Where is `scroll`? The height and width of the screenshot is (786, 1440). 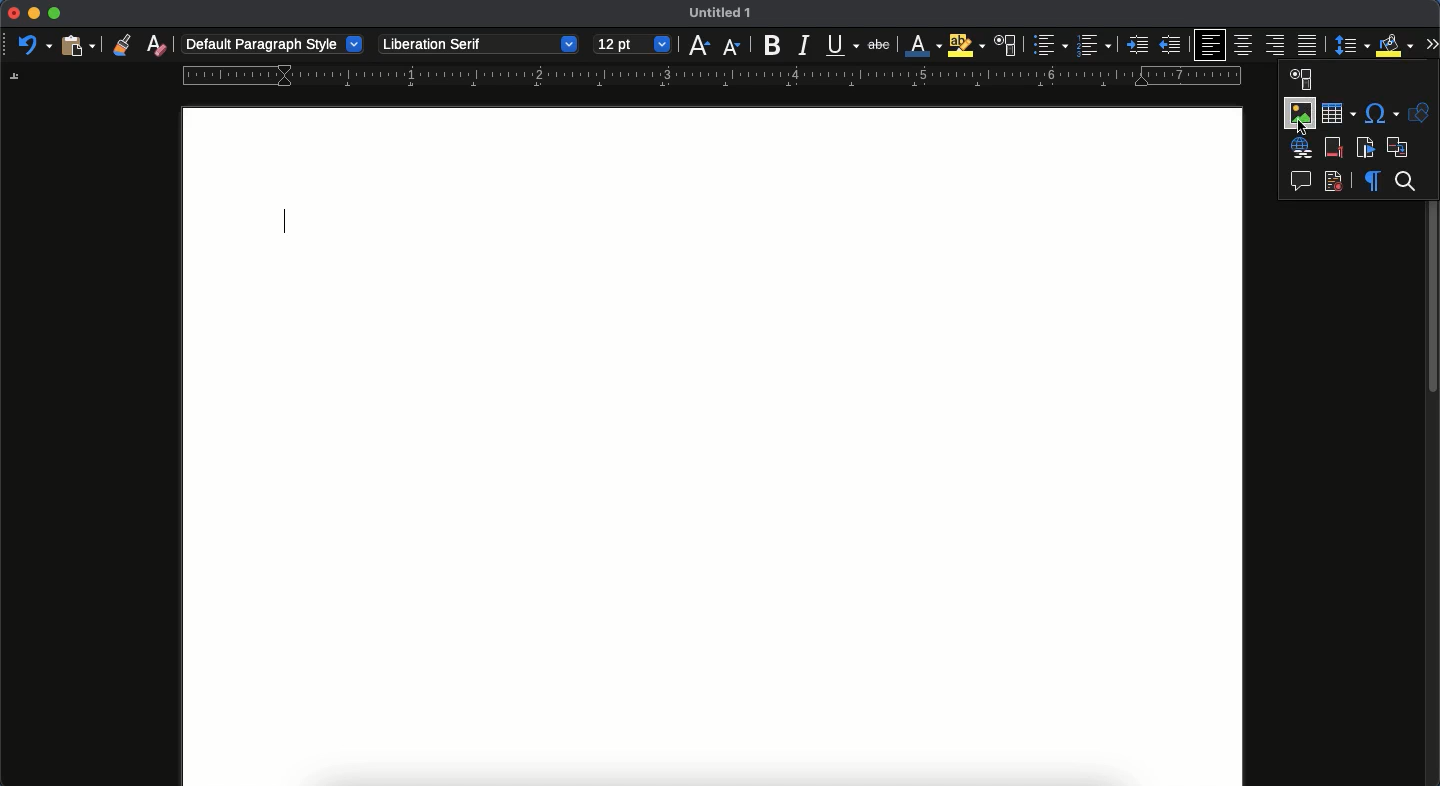
scroll is located at coordinates (1433, 489).